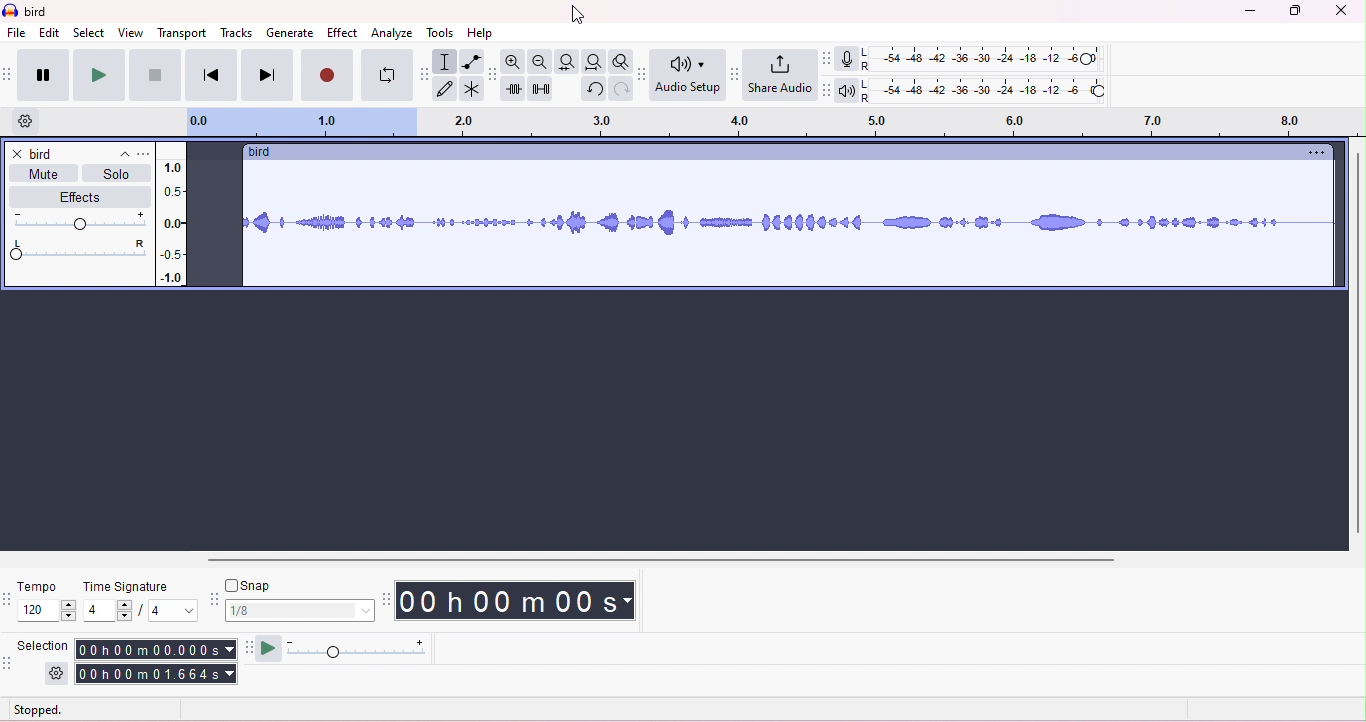  What do you see at coordinates (15, 153) in the screenshot?
I see `close` at bounding box center [15, 153].